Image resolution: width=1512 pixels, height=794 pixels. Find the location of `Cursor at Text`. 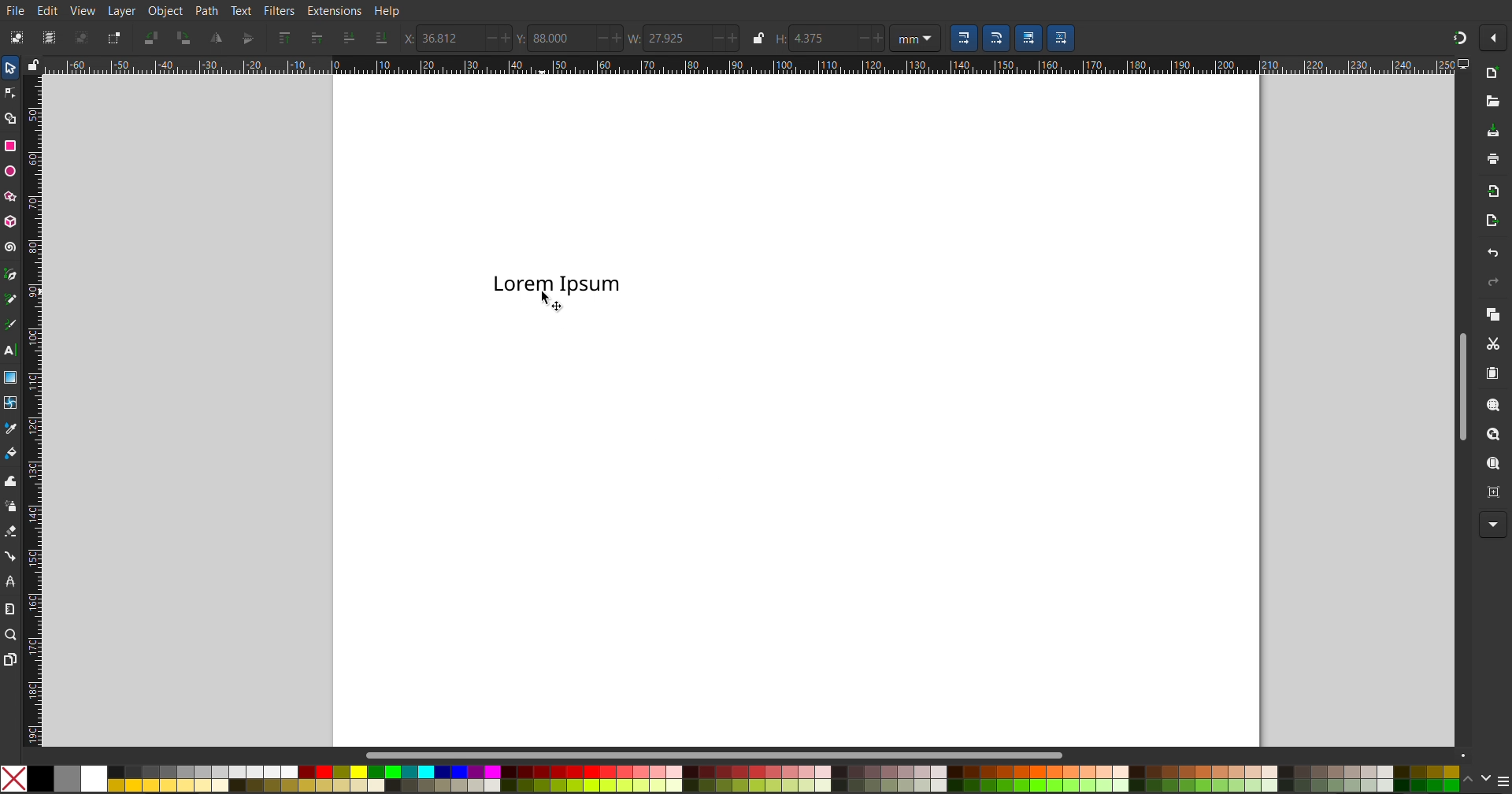

Cursor at Text is located at coordinates (552, 303).